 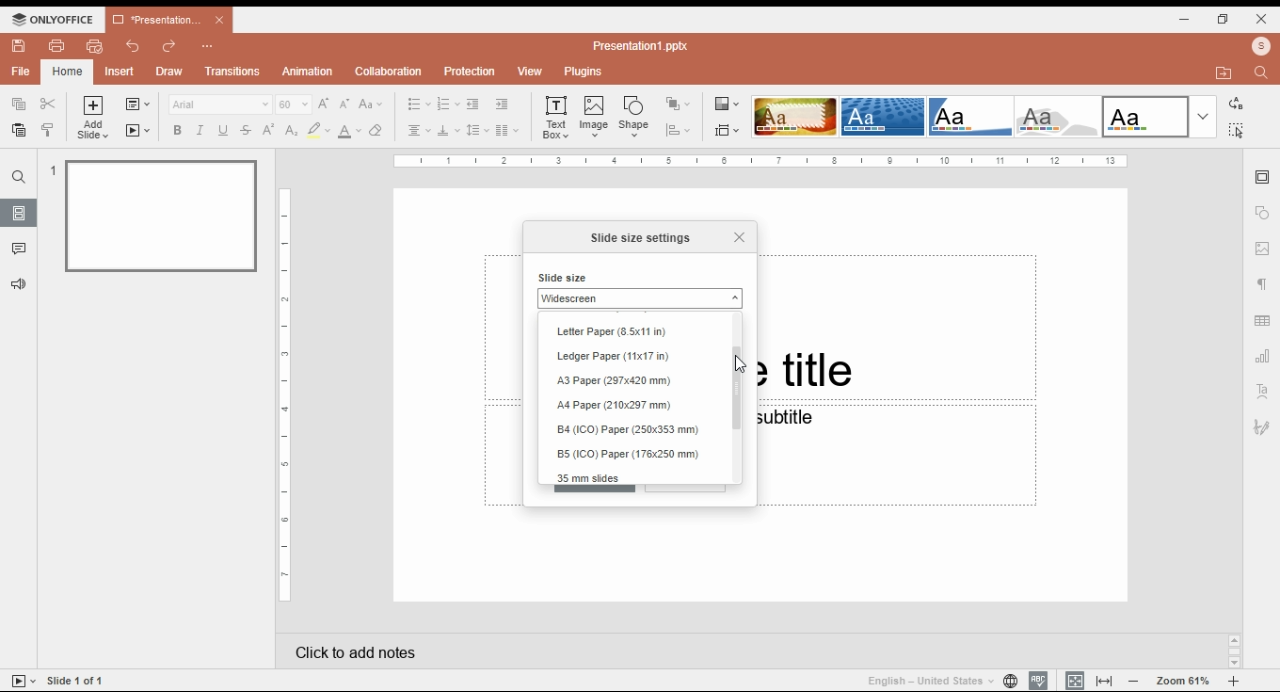 I want to click on plugins, so click(x=584, y=72).